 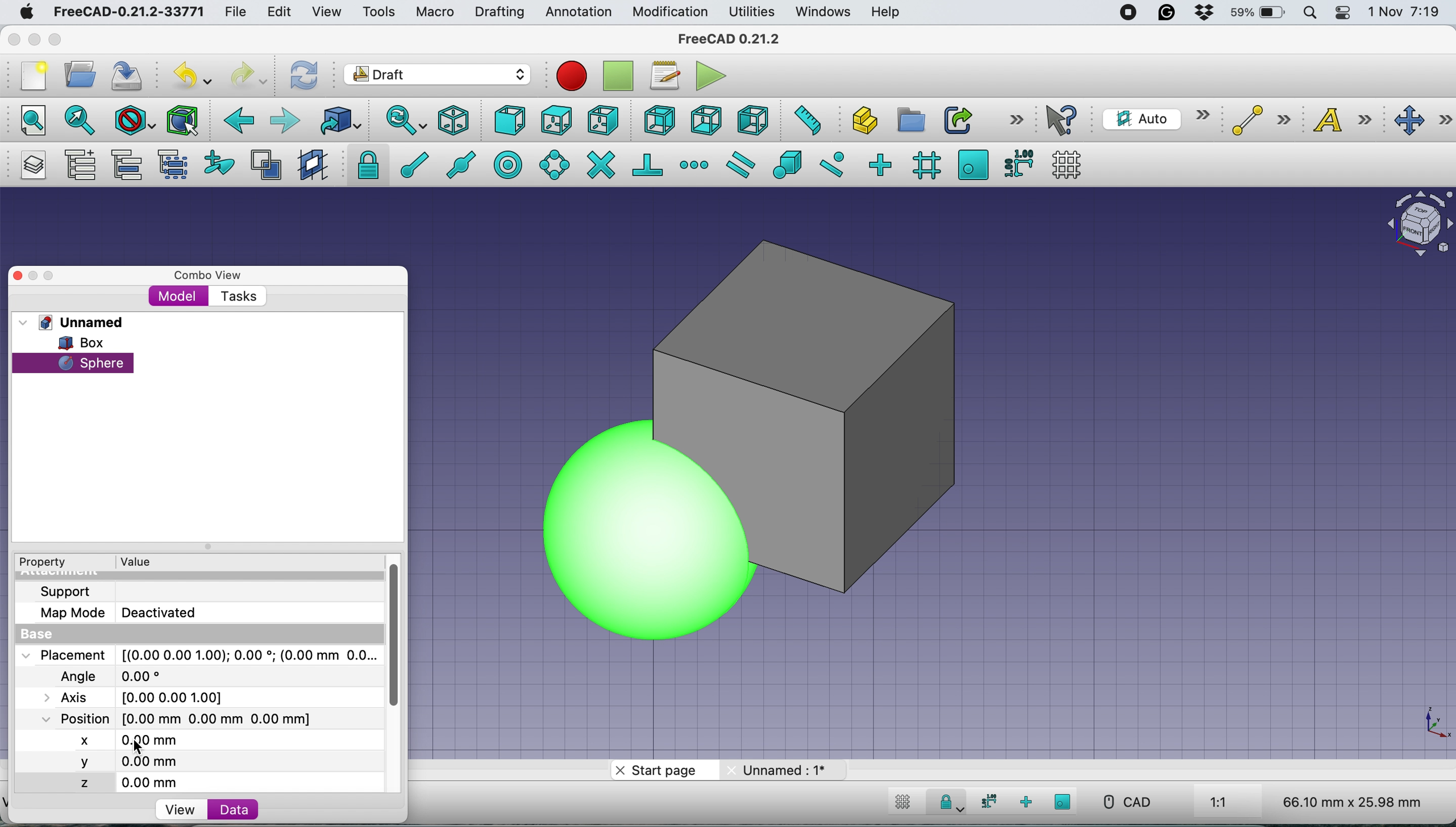 What do you see at coordinates (879, 164) in the screenshot?
I see `snap ortho` at bounding box center [879, 164].